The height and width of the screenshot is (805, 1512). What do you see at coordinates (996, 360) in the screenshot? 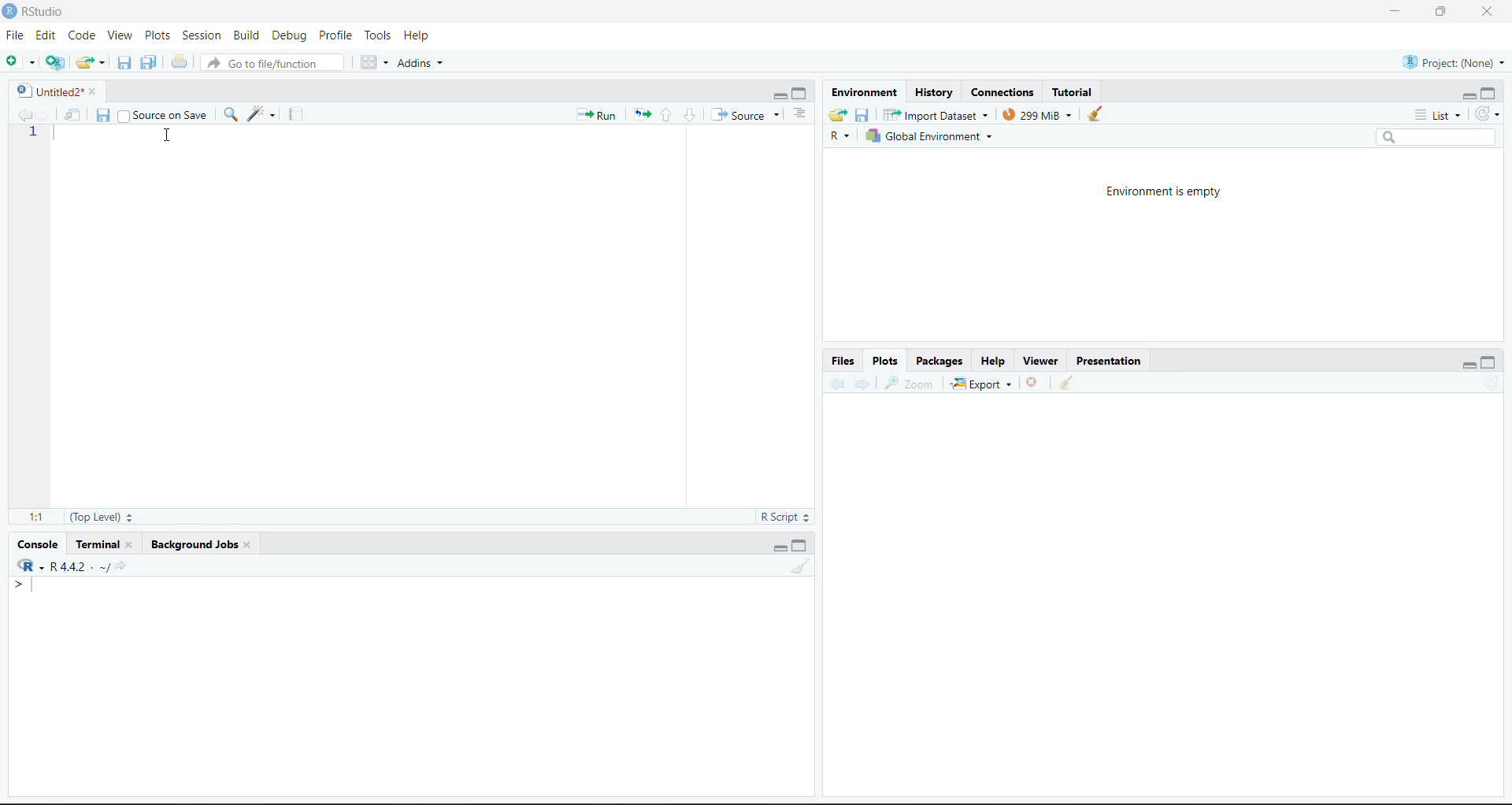
I see `Help` at bounding box center [996, 360].